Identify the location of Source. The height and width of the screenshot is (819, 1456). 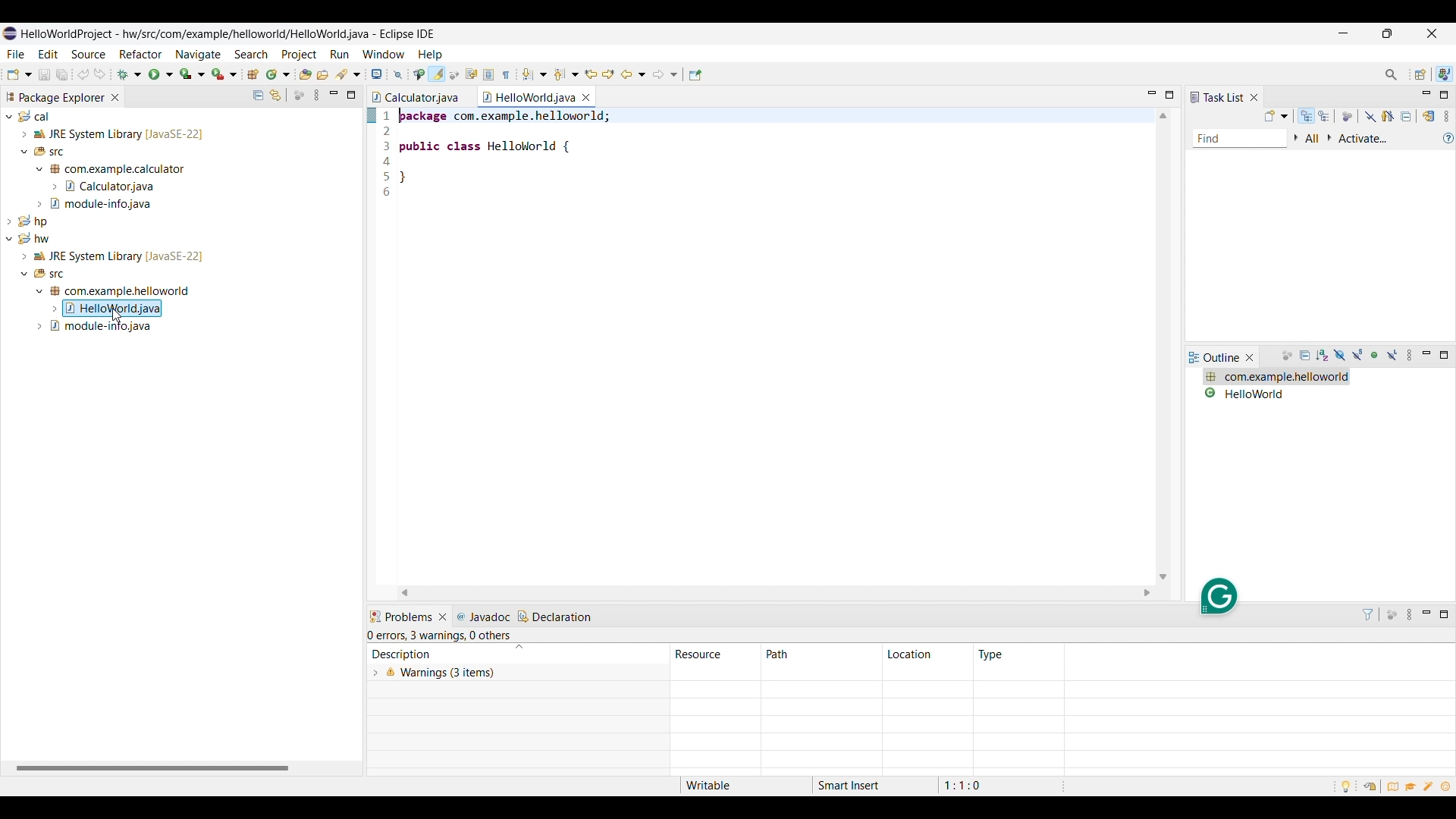
(88, 54).